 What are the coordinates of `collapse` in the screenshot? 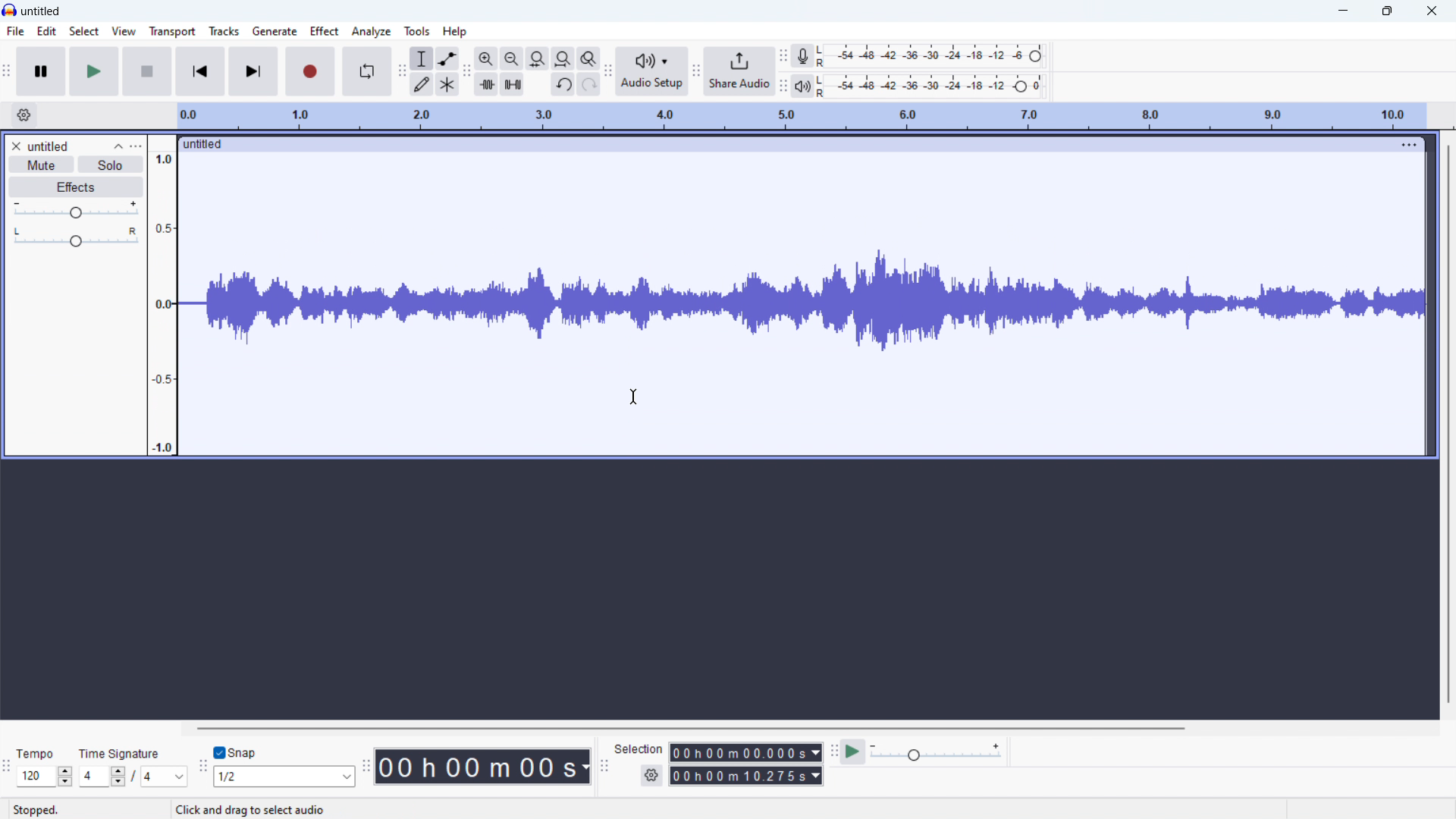 It's located at (122, 145).